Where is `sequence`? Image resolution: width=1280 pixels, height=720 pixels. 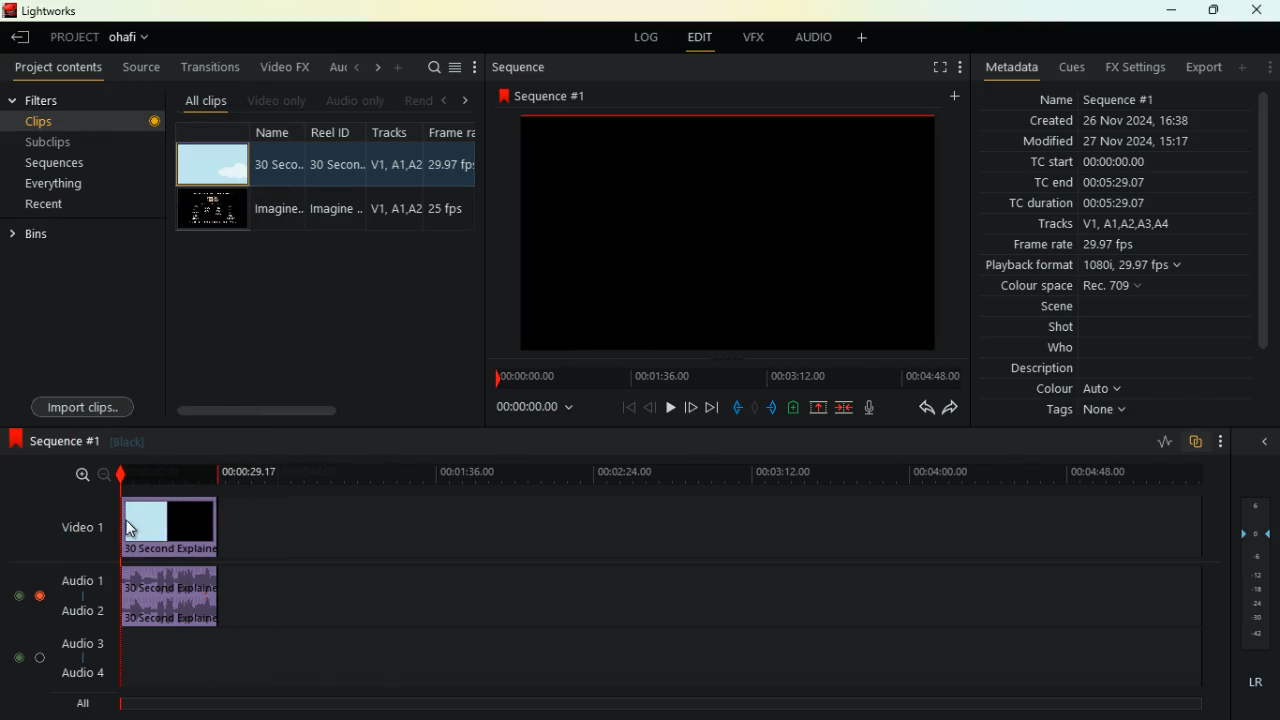
sequence is located at coordinates (533, 68).